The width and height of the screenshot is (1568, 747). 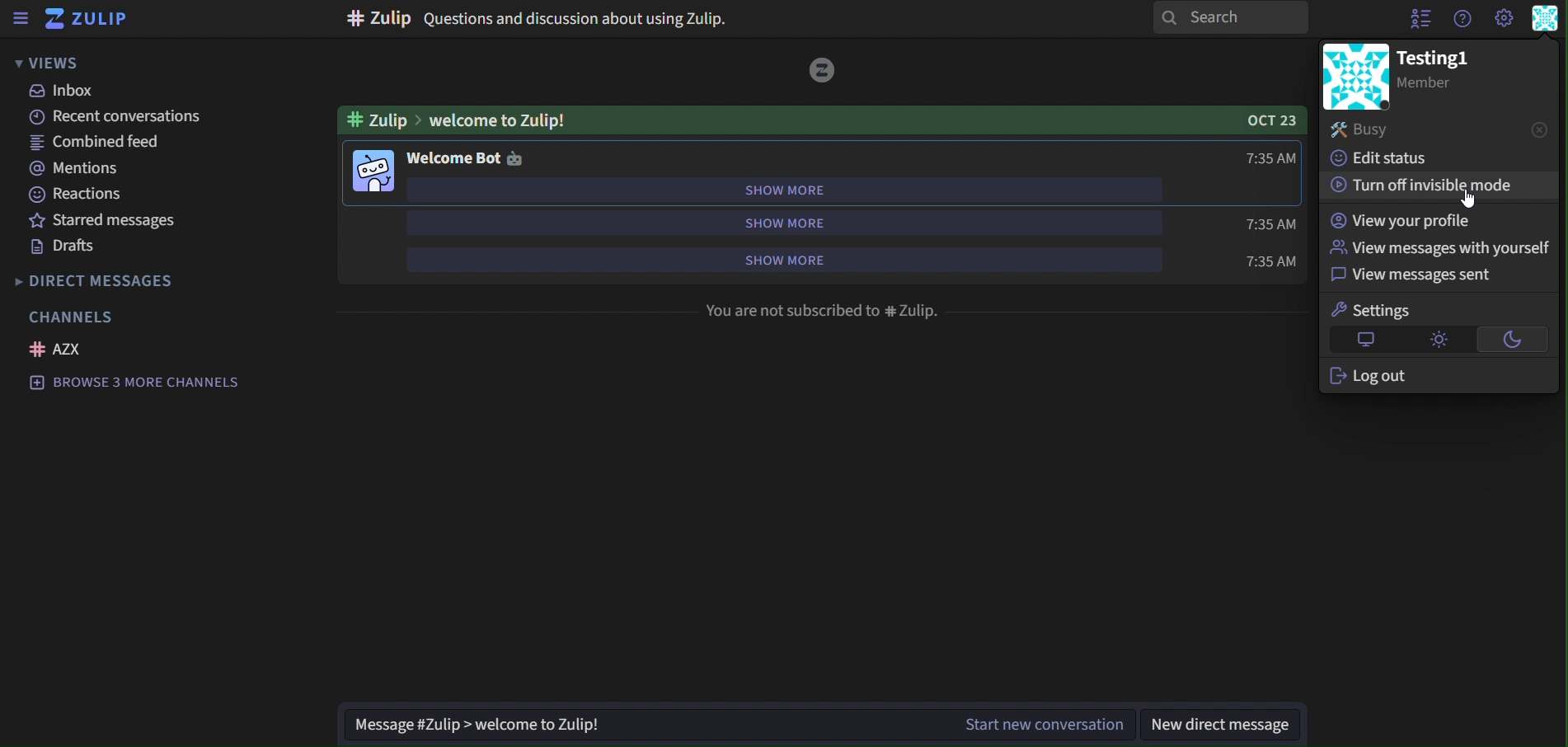 What do you see at coordinates (824, 68) in the screenshot?
I see `image` at bounding box center [824, 68].